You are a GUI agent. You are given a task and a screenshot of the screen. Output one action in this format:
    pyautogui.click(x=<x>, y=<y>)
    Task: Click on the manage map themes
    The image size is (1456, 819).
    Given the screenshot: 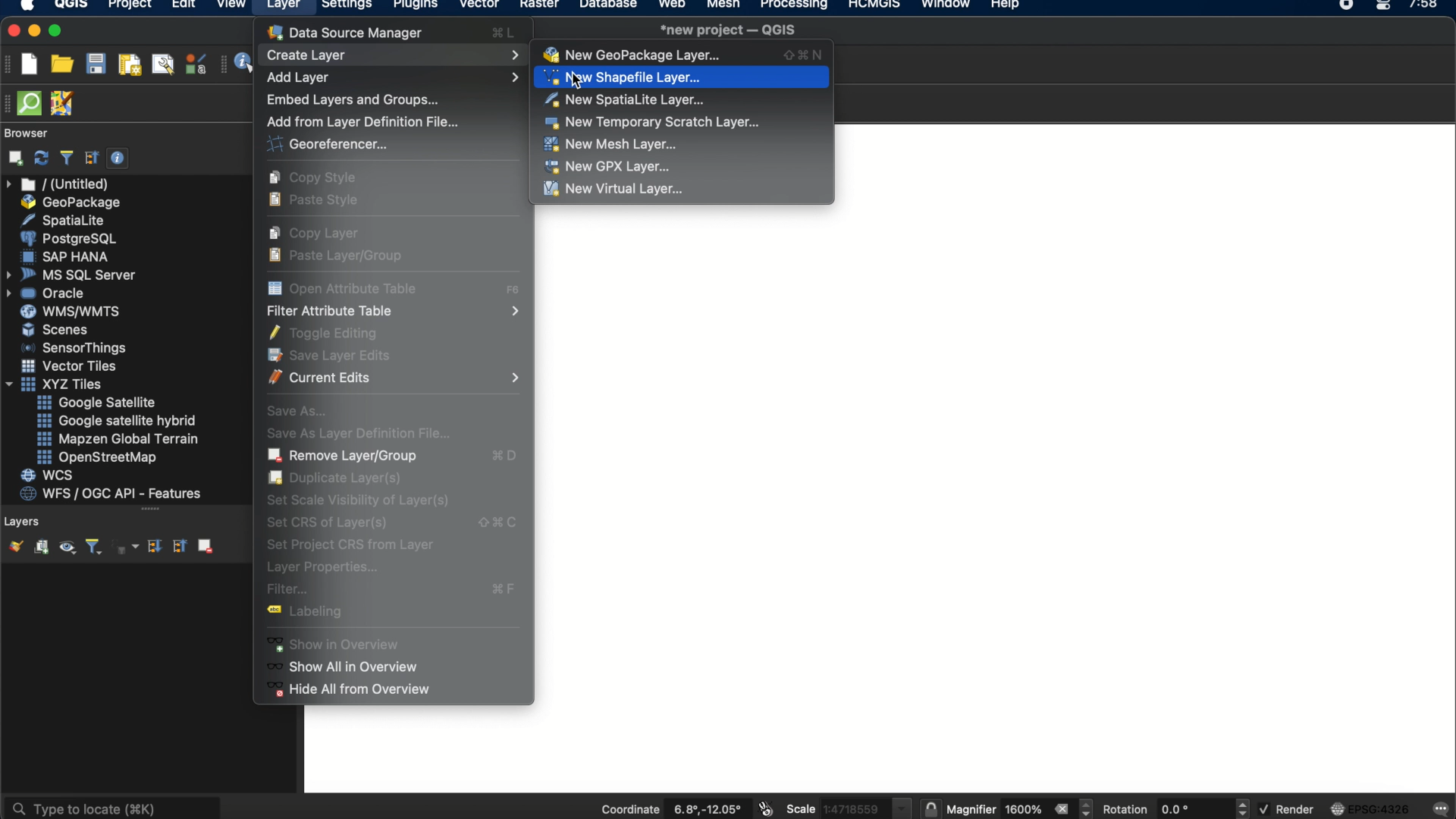 What is the action you would take?
    pyautogui.click(x=66, y=549)
    